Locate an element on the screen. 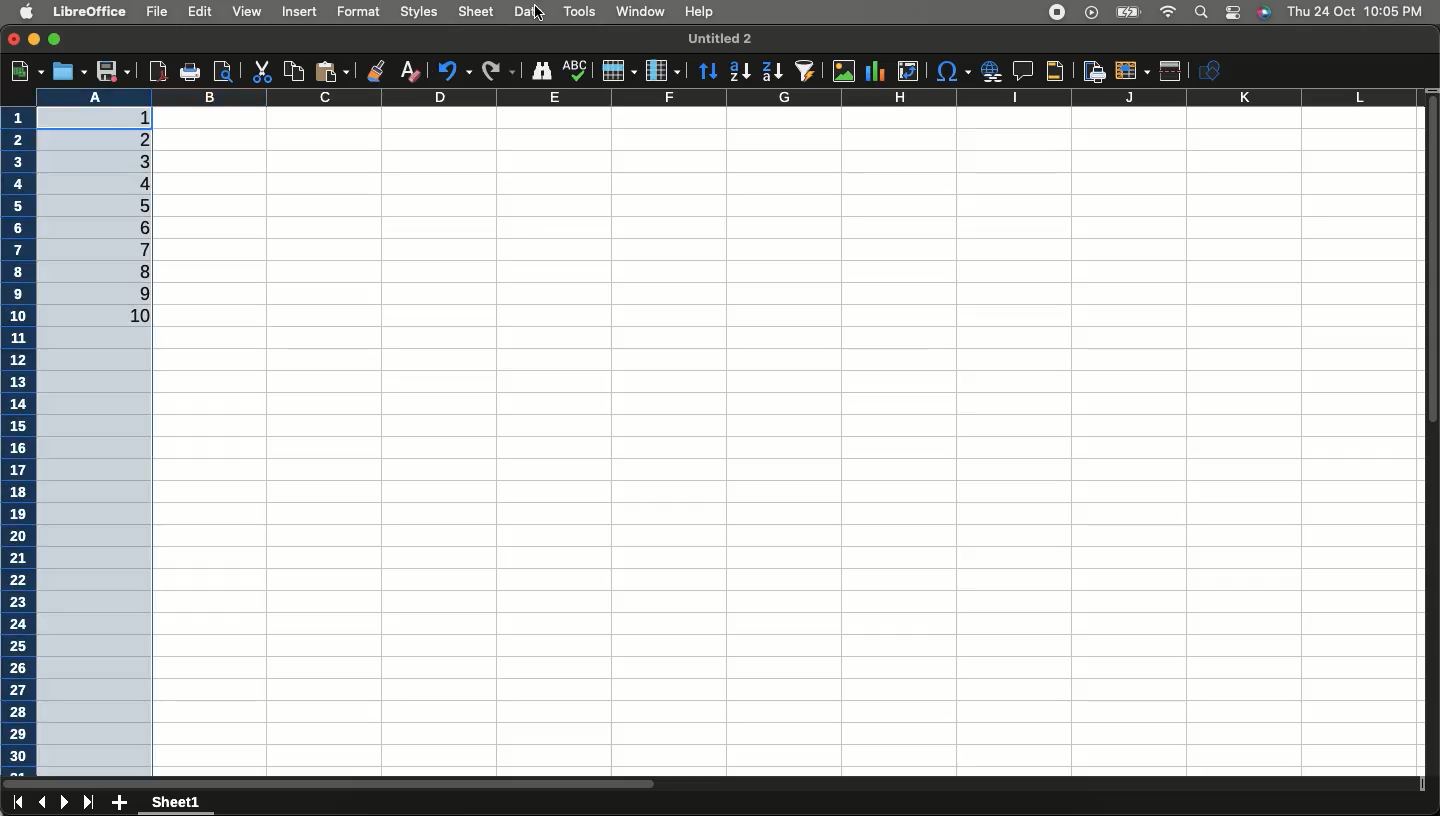 The image size is (1440, 816). File is located at coordinates (155, 11).